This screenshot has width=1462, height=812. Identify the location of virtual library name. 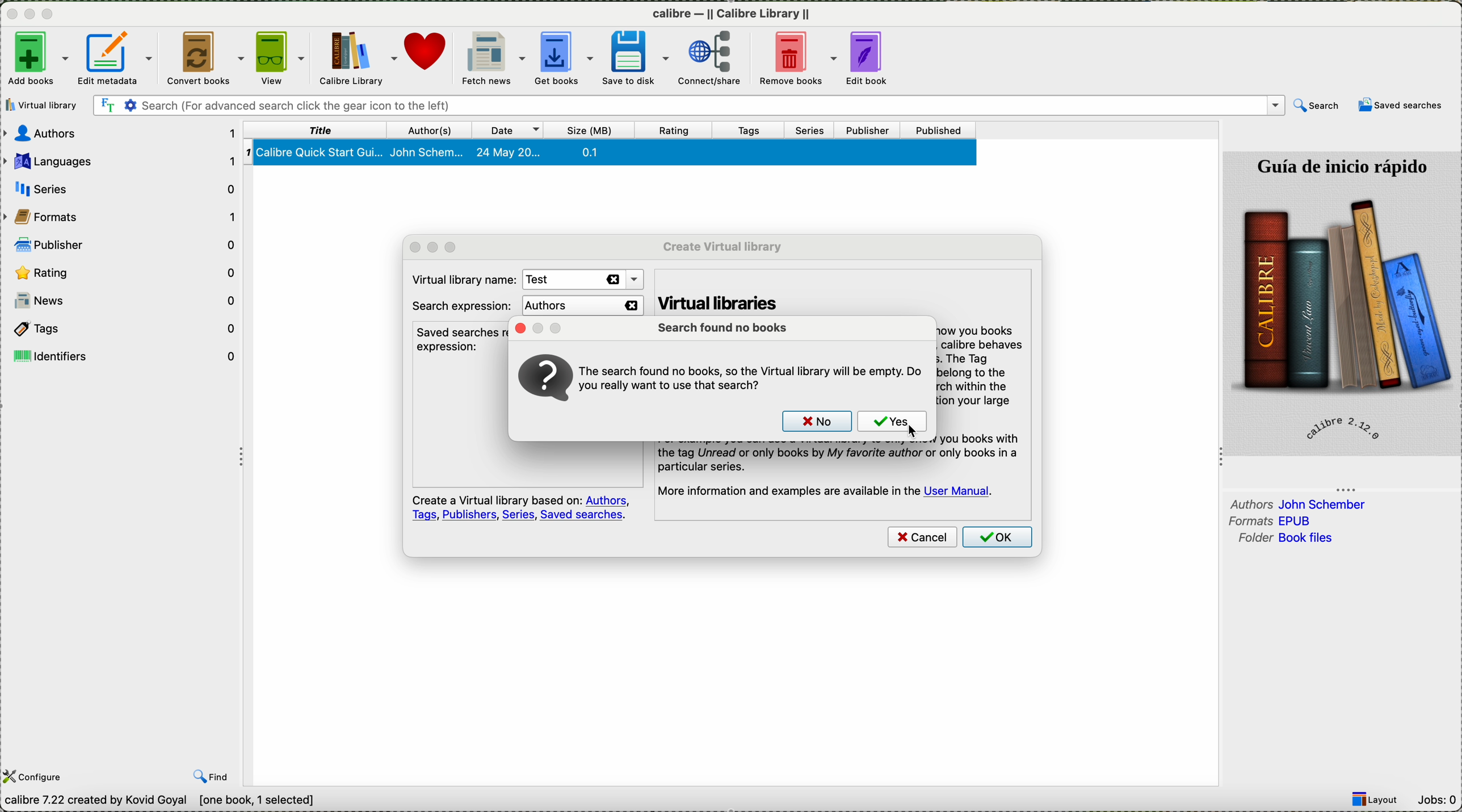
(459, 277).